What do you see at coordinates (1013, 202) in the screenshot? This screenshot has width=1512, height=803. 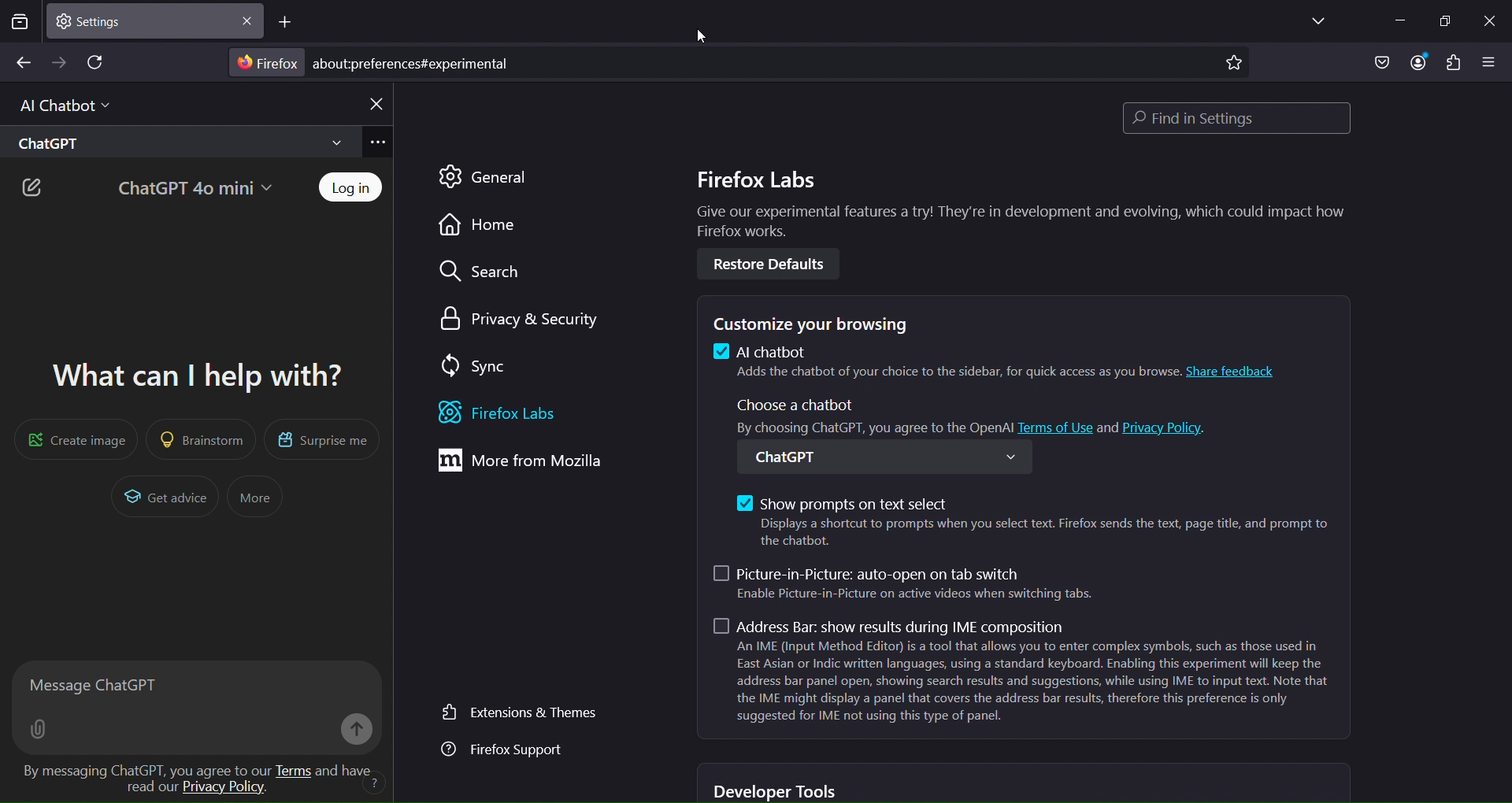 I see `Firefox Labs
Give our experimental features a try! They're in development and evolving, which could impact how
Firefox works.` at bounding box center [1013, 202].